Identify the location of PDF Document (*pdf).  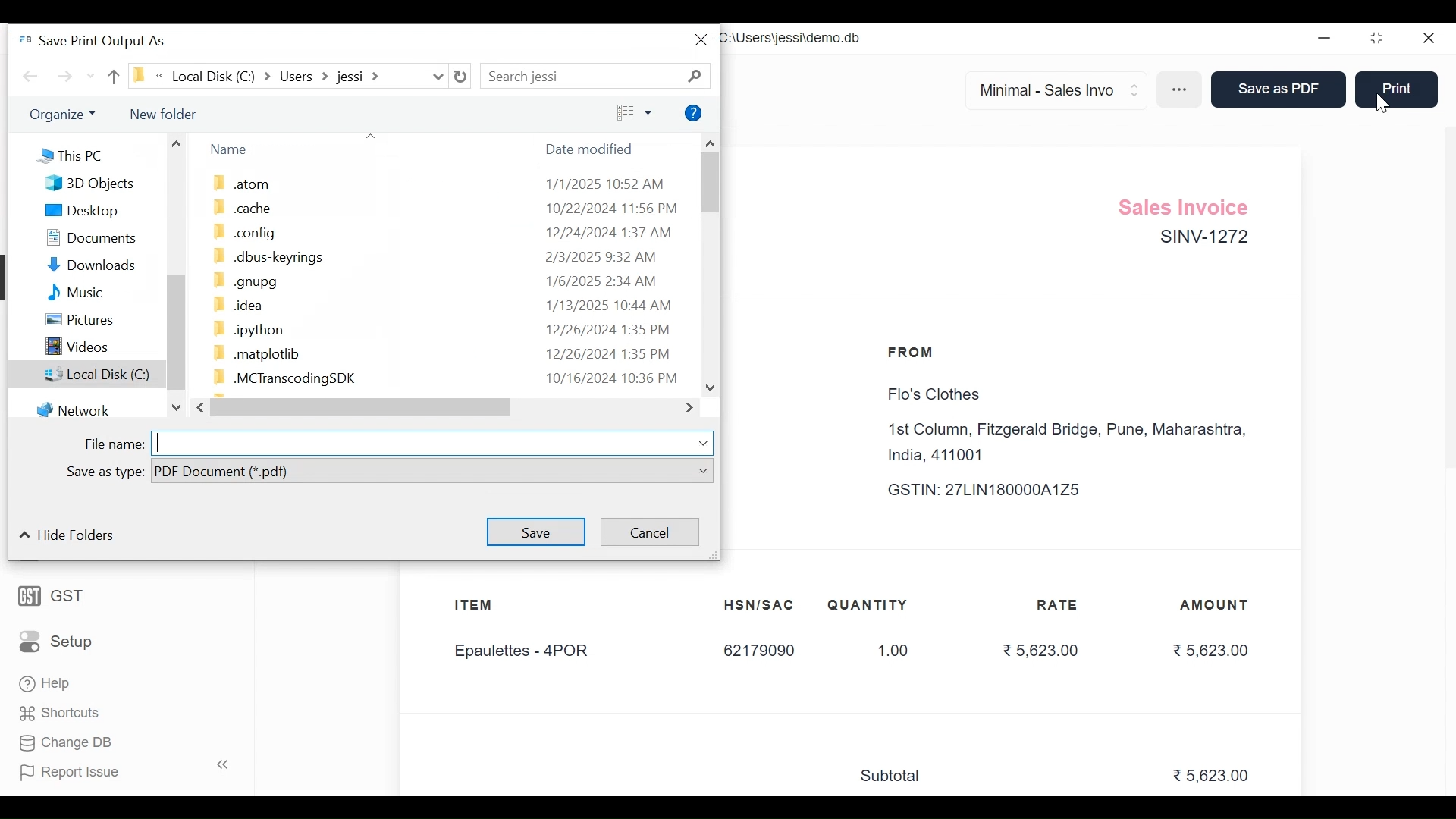
(419, 469).